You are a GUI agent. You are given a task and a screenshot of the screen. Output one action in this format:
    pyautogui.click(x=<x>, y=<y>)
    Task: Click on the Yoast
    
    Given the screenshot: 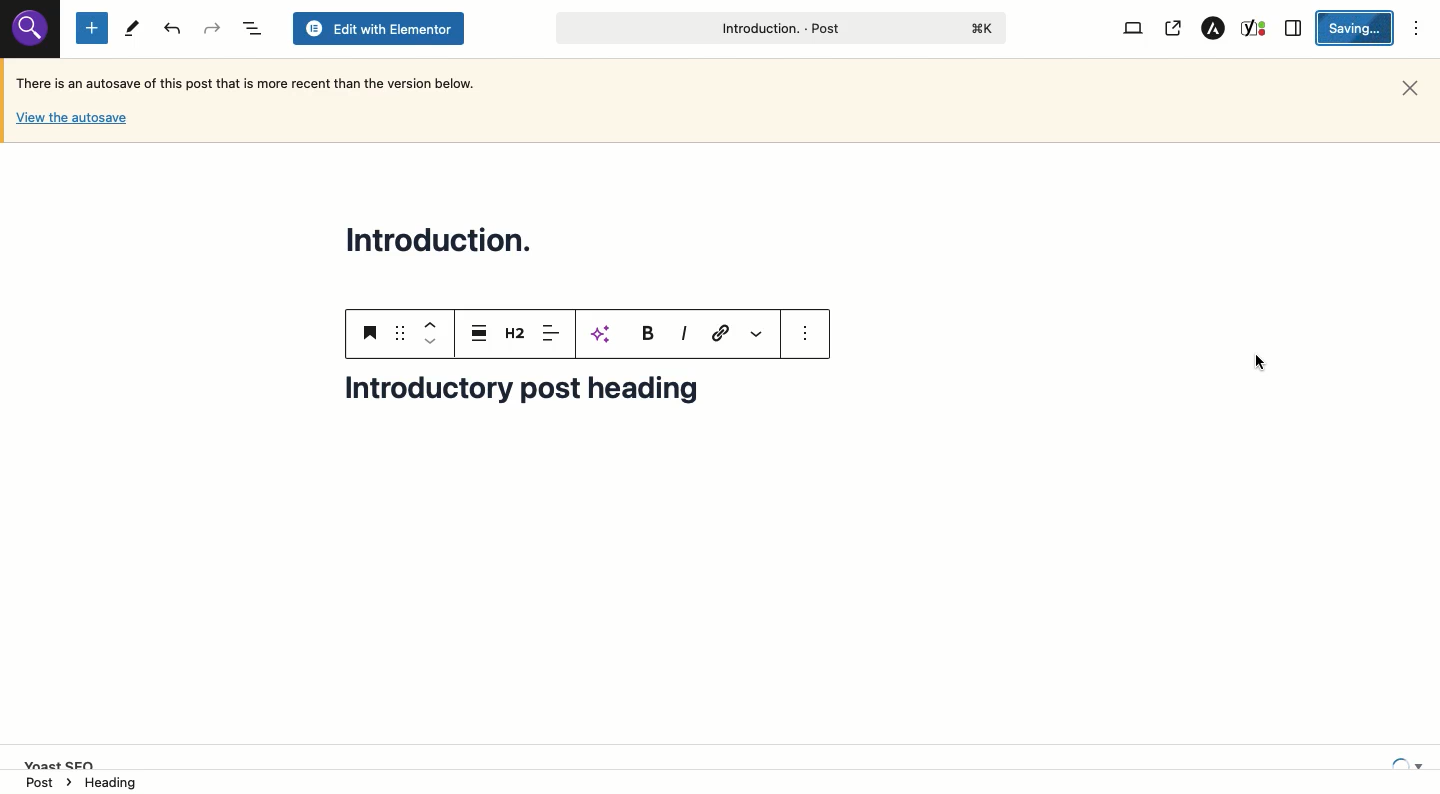 What is the action you would take?
    pyautogui.click(x=1253, y=29)
    